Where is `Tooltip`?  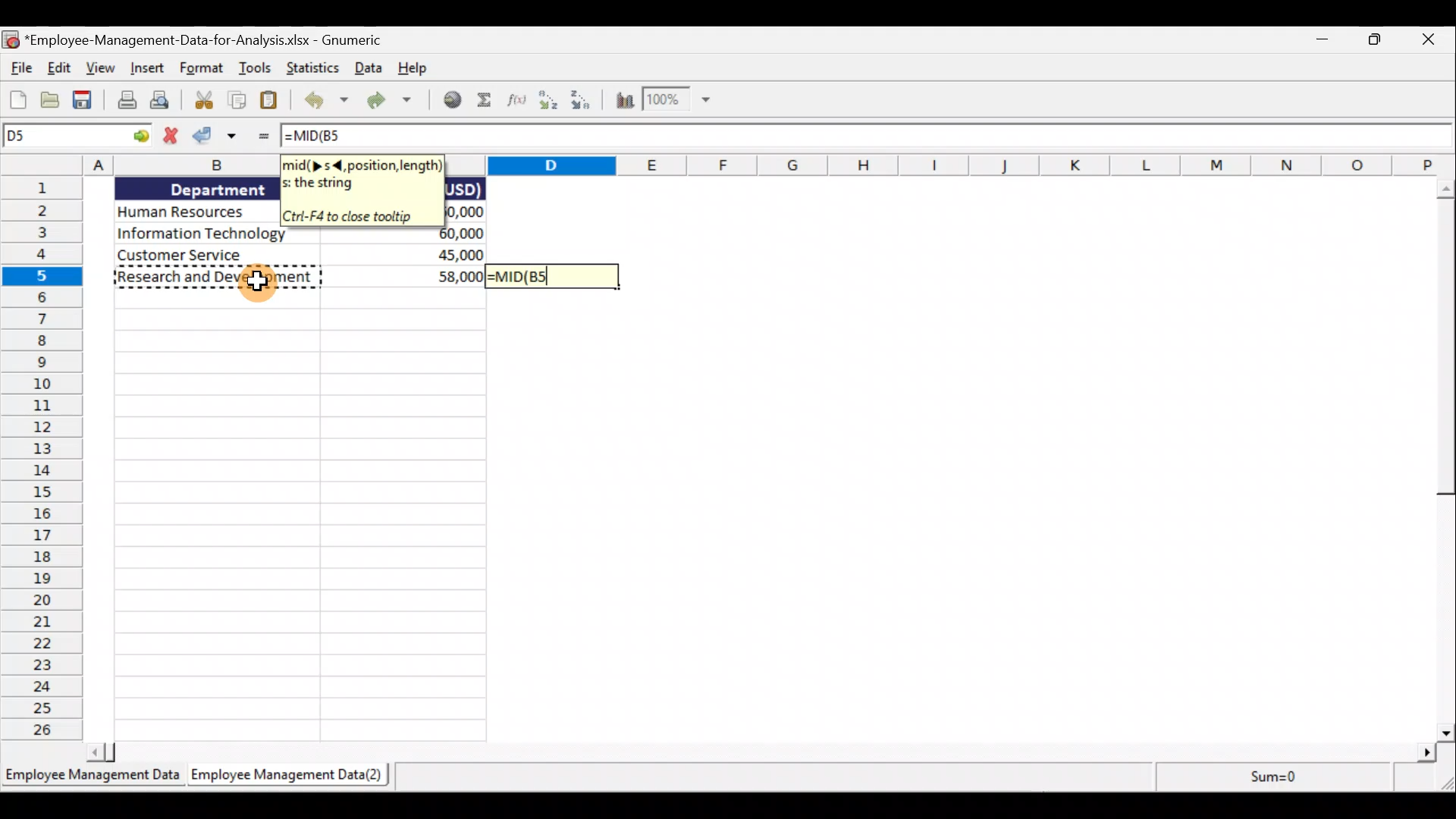
Tooltip is located at coordinates (362, 193).